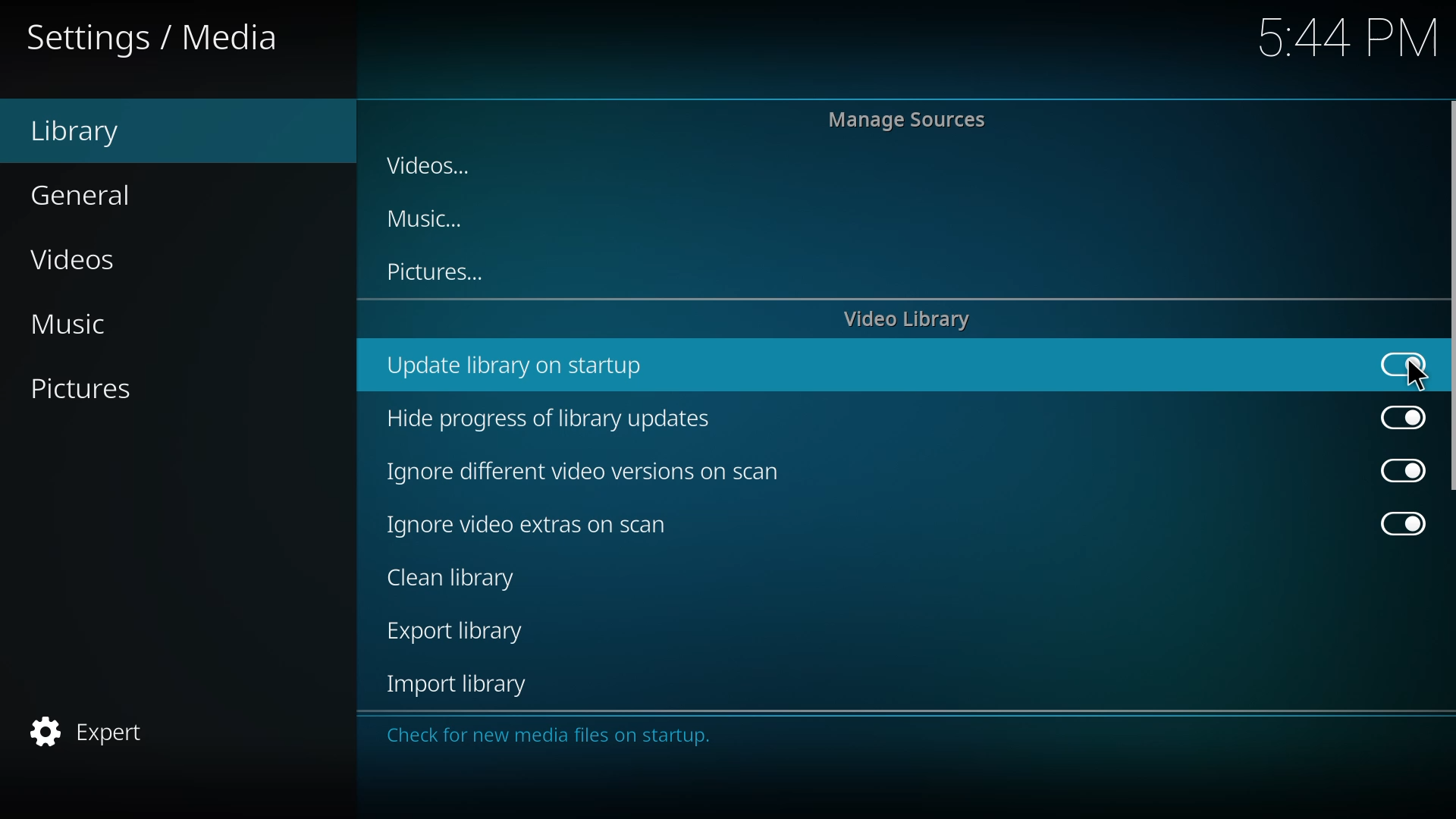 This screenshot has height=819, width=1456. Describe the element at coordinates (443, 217) in the screenshot. I see `music` at that location.